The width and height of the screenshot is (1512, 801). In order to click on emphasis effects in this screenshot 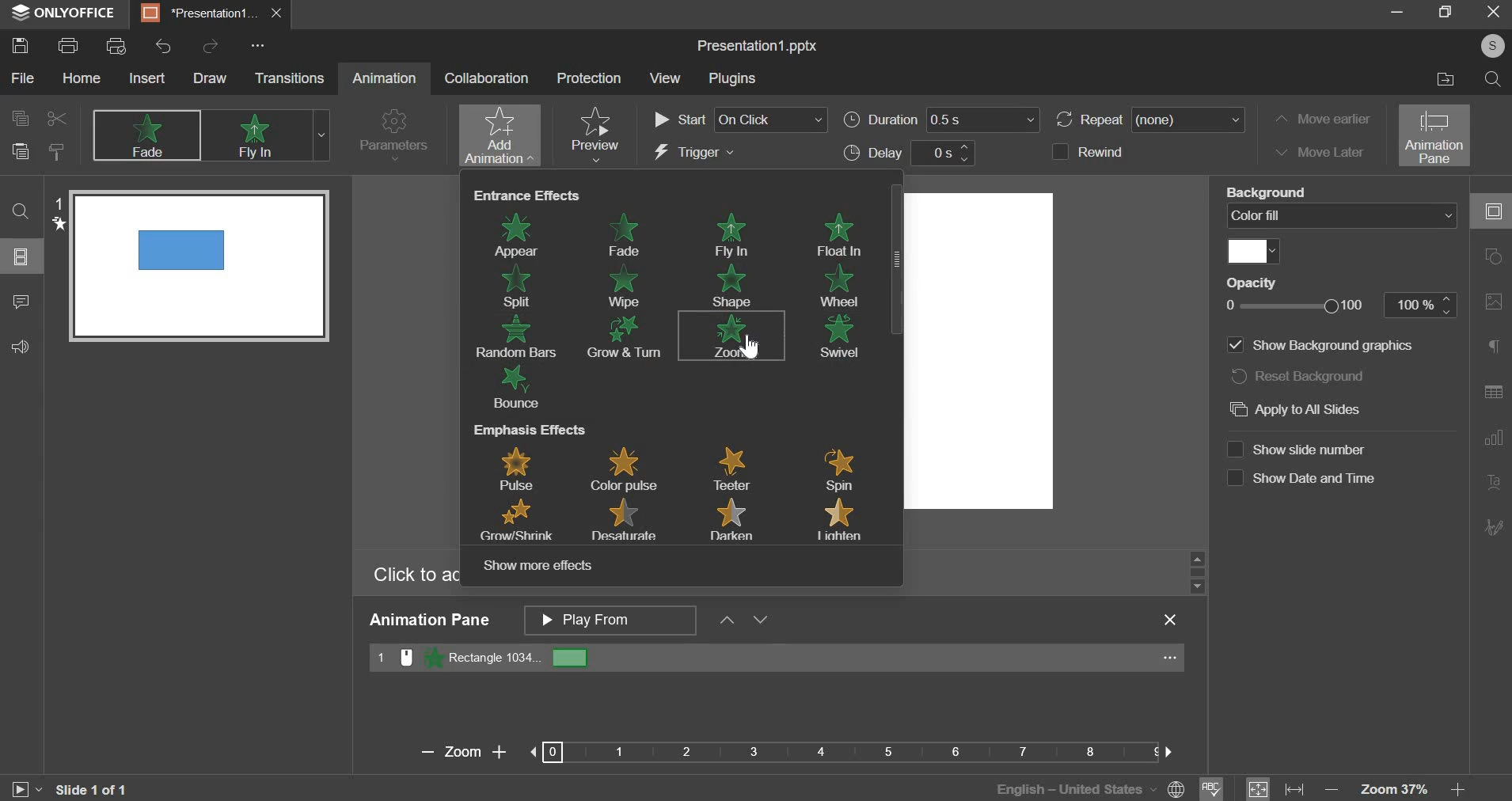, I will do `click(529, 431)`.